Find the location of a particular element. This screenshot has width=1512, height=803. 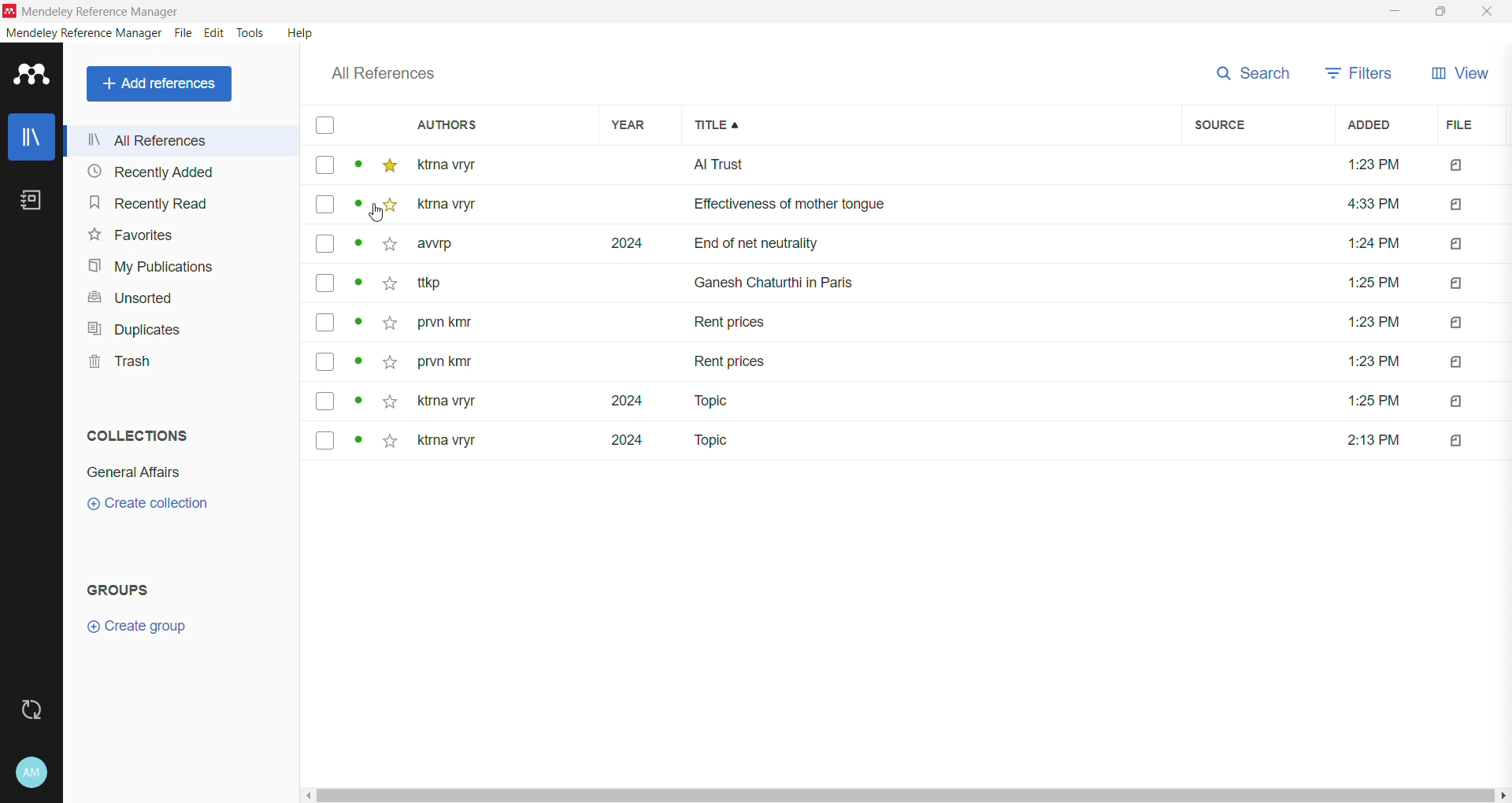

Close is located at coordinates (1487, 12).